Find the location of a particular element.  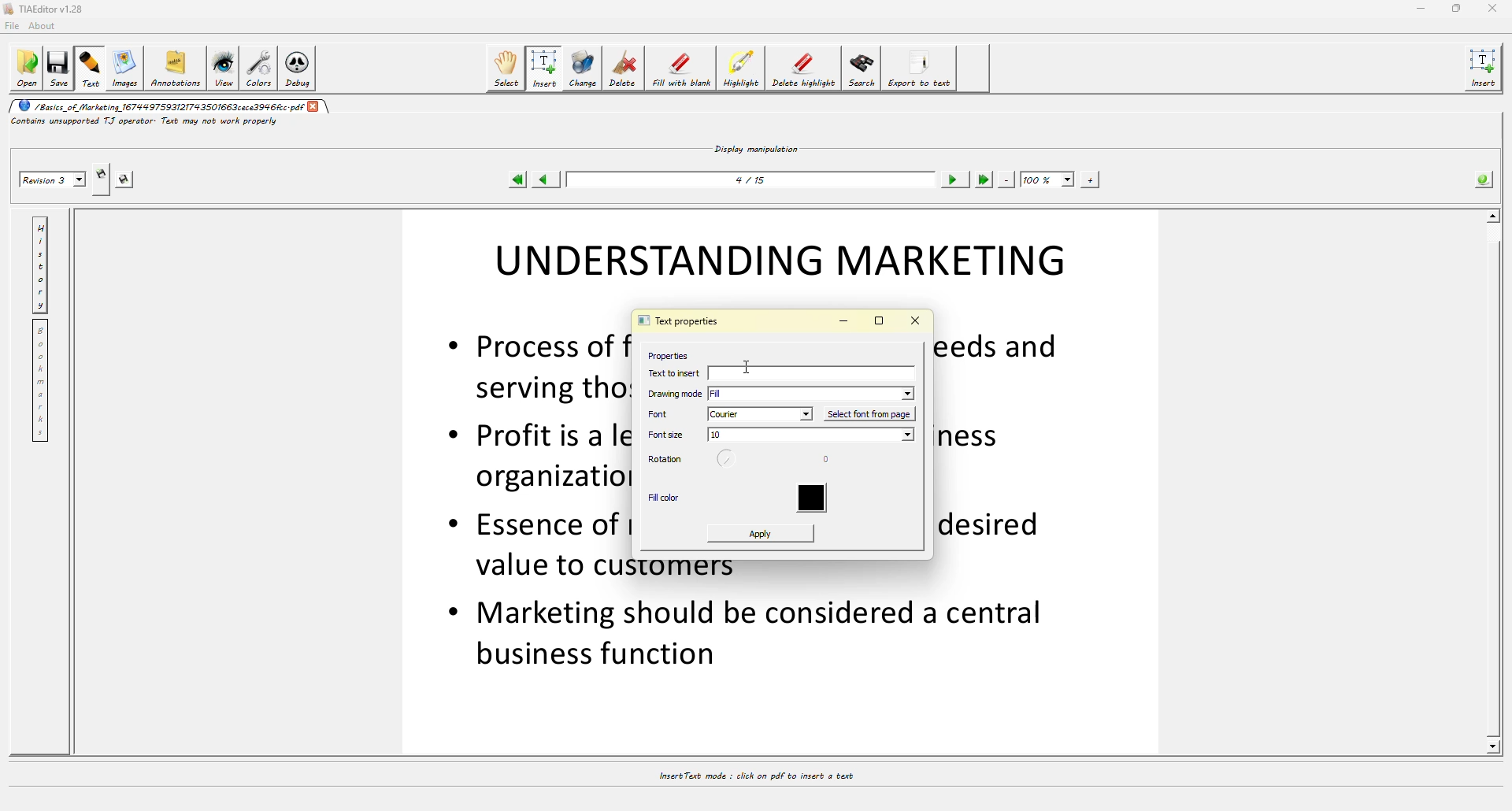

bookmarks is located at coordinates (43, 381).